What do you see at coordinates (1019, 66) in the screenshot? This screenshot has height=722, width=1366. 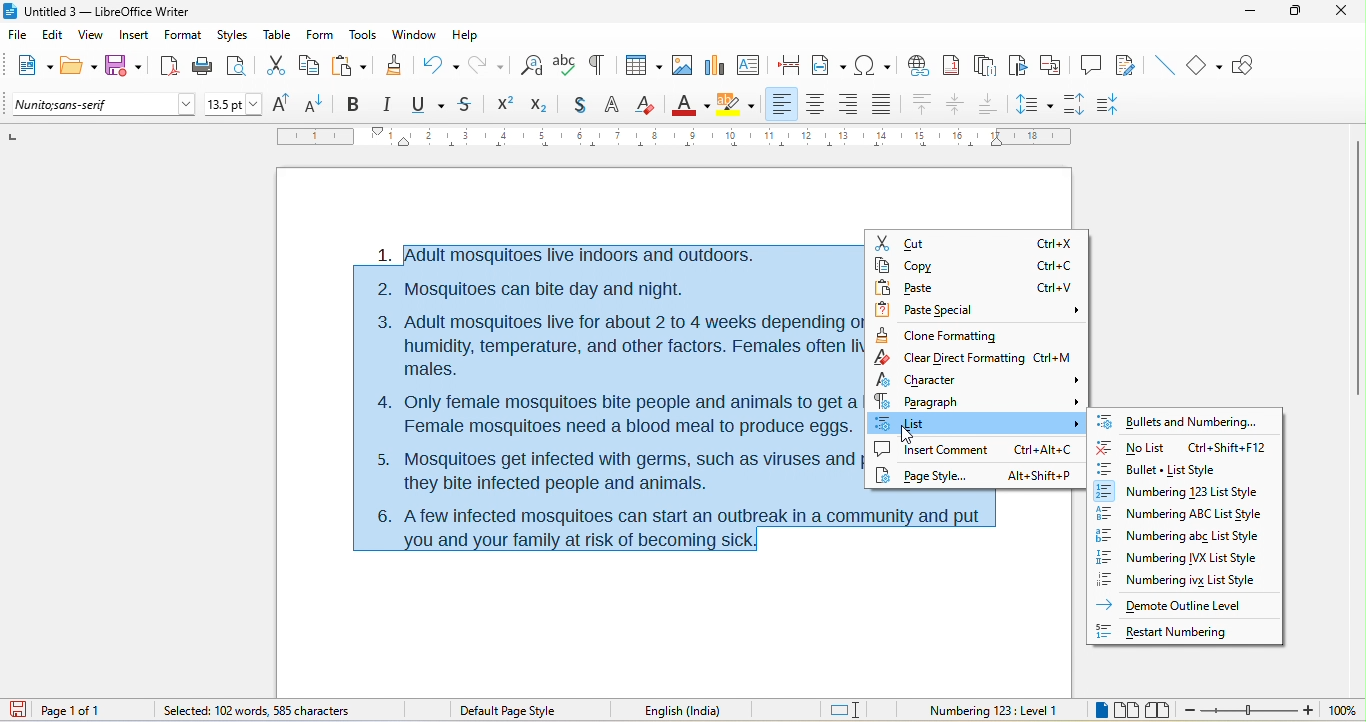 I see `bookmark` at bounding box center [1019, 66].